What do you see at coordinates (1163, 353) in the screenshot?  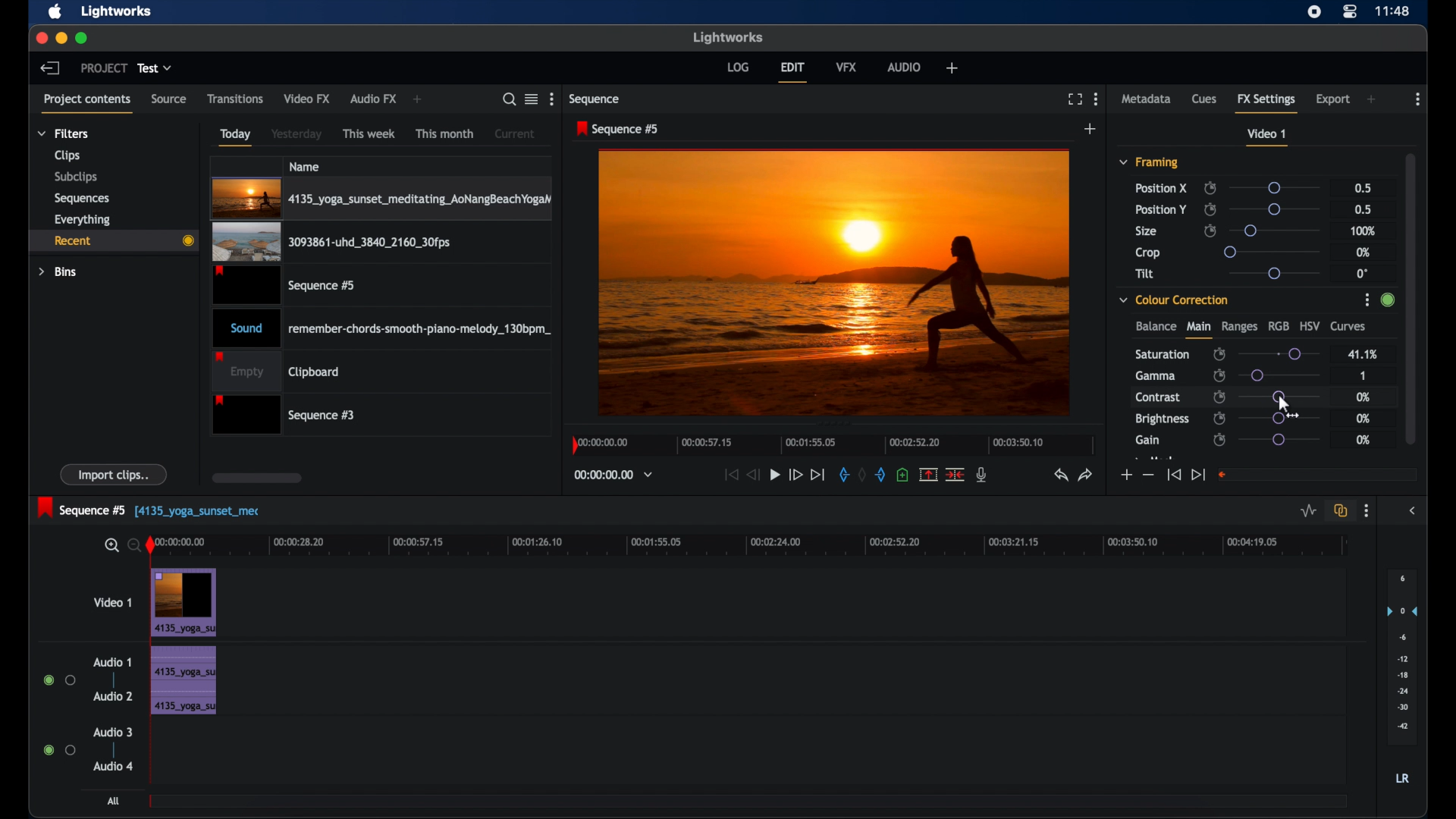 I see `saturation` at bounding box center [1163, 353].